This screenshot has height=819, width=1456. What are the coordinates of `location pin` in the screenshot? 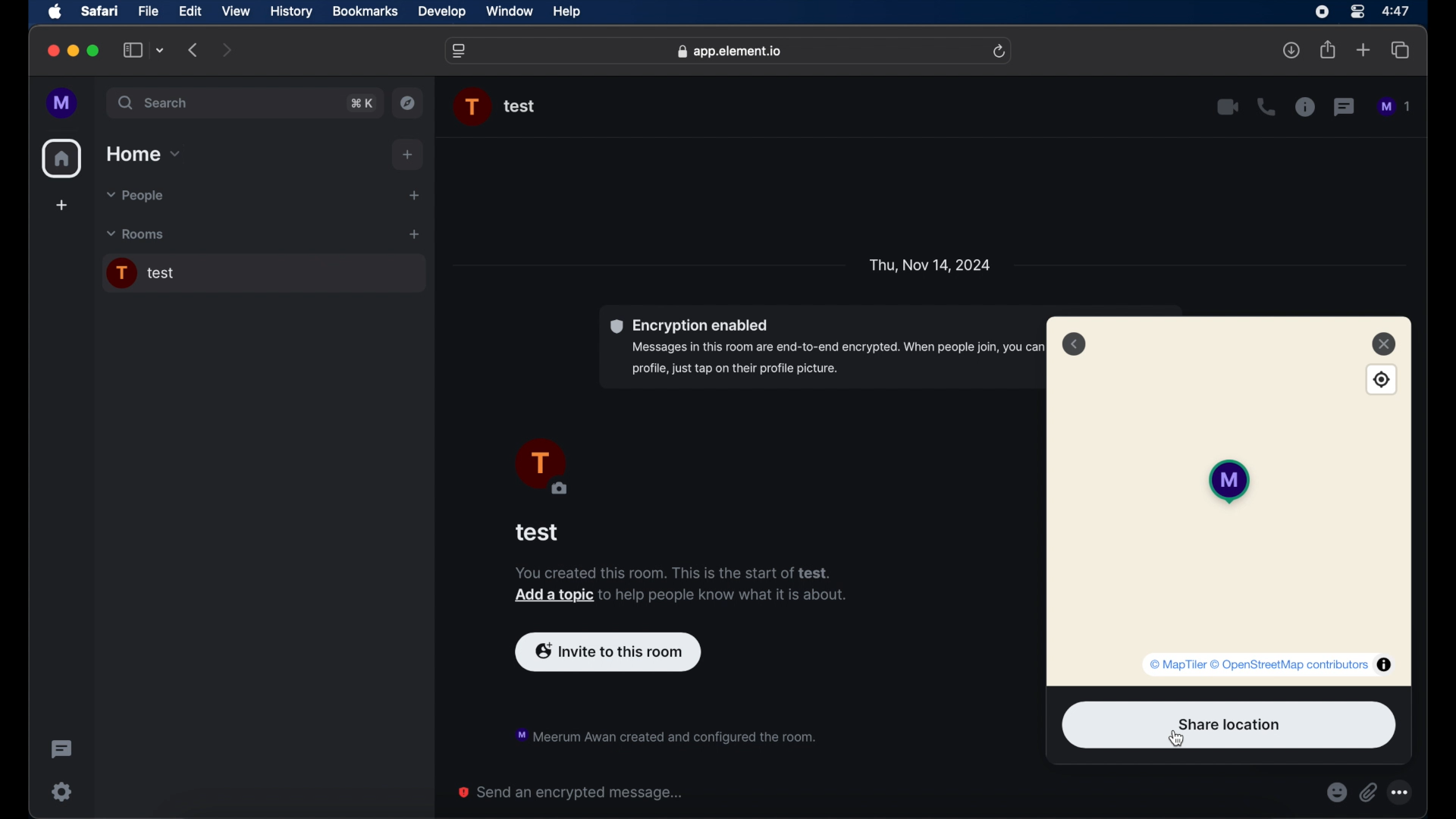 It's located at (1224, 481).